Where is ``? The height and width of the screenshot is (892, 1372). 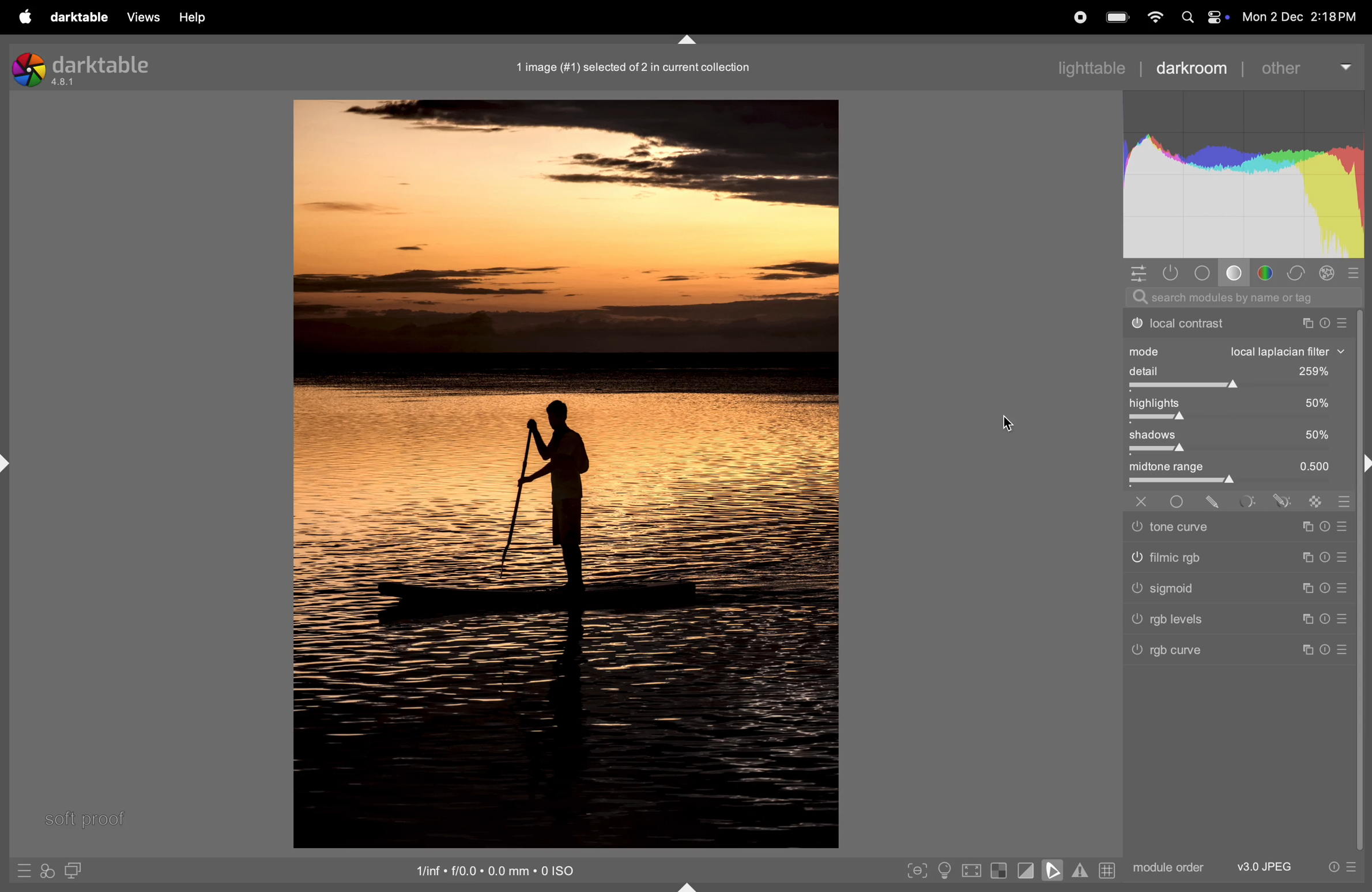
 is located at coordinates (1184, 559).